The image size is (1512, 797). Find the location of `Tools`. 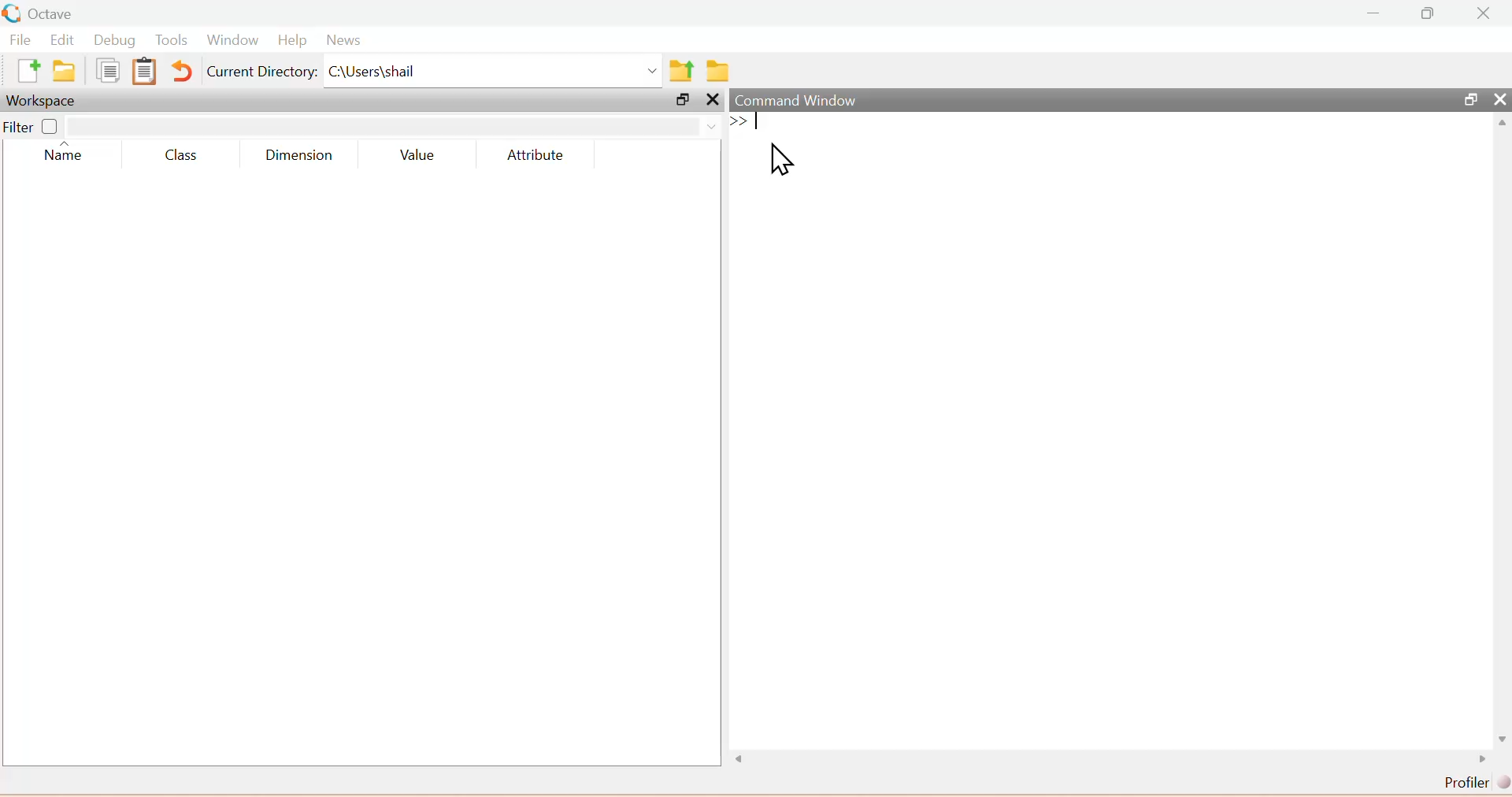

Tools is located at coordinates (172, 42).